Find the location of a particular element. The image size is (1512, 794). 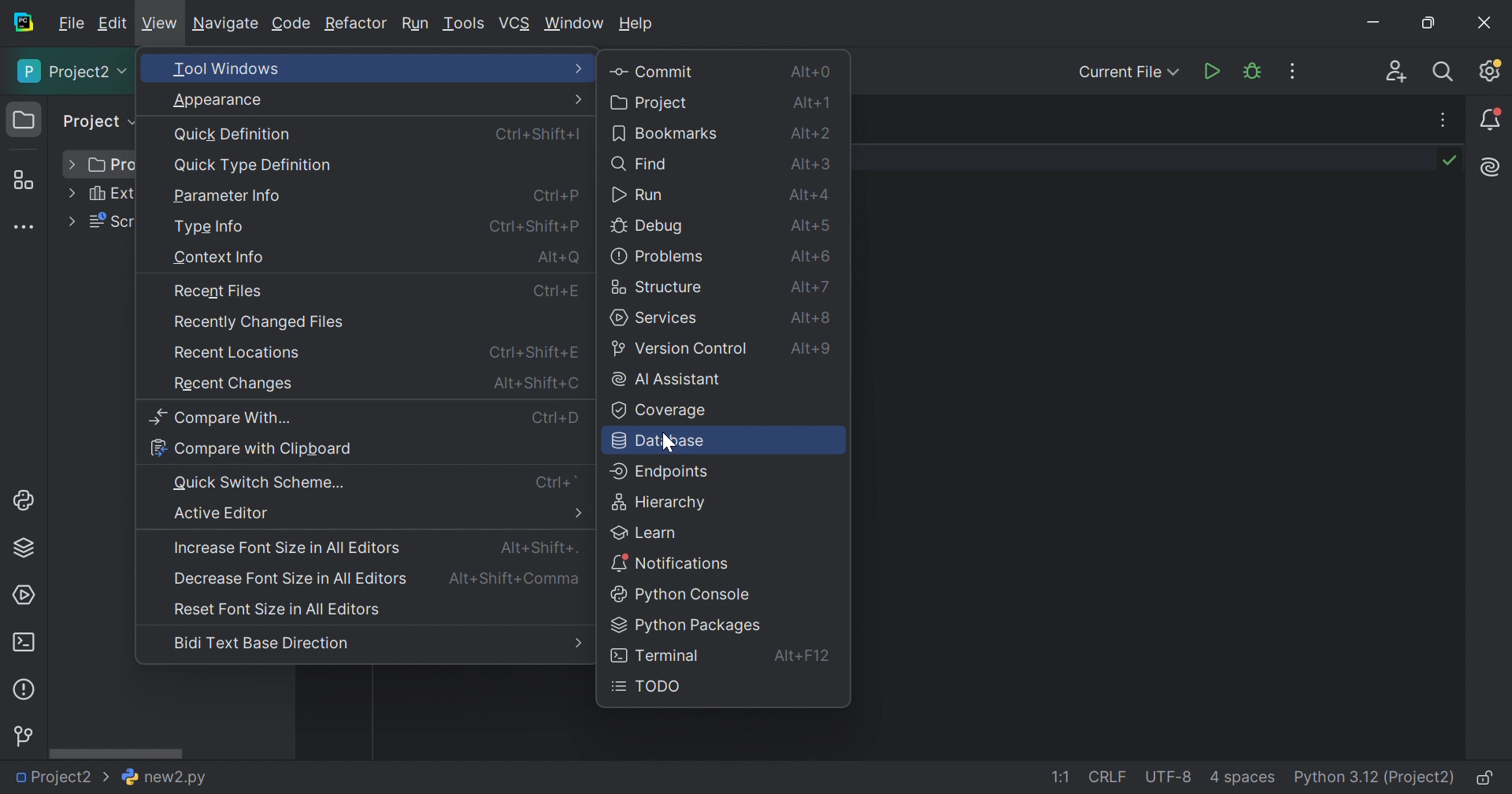

Updates available. IDE and Project Settings is located at coordinates (1489, 72).